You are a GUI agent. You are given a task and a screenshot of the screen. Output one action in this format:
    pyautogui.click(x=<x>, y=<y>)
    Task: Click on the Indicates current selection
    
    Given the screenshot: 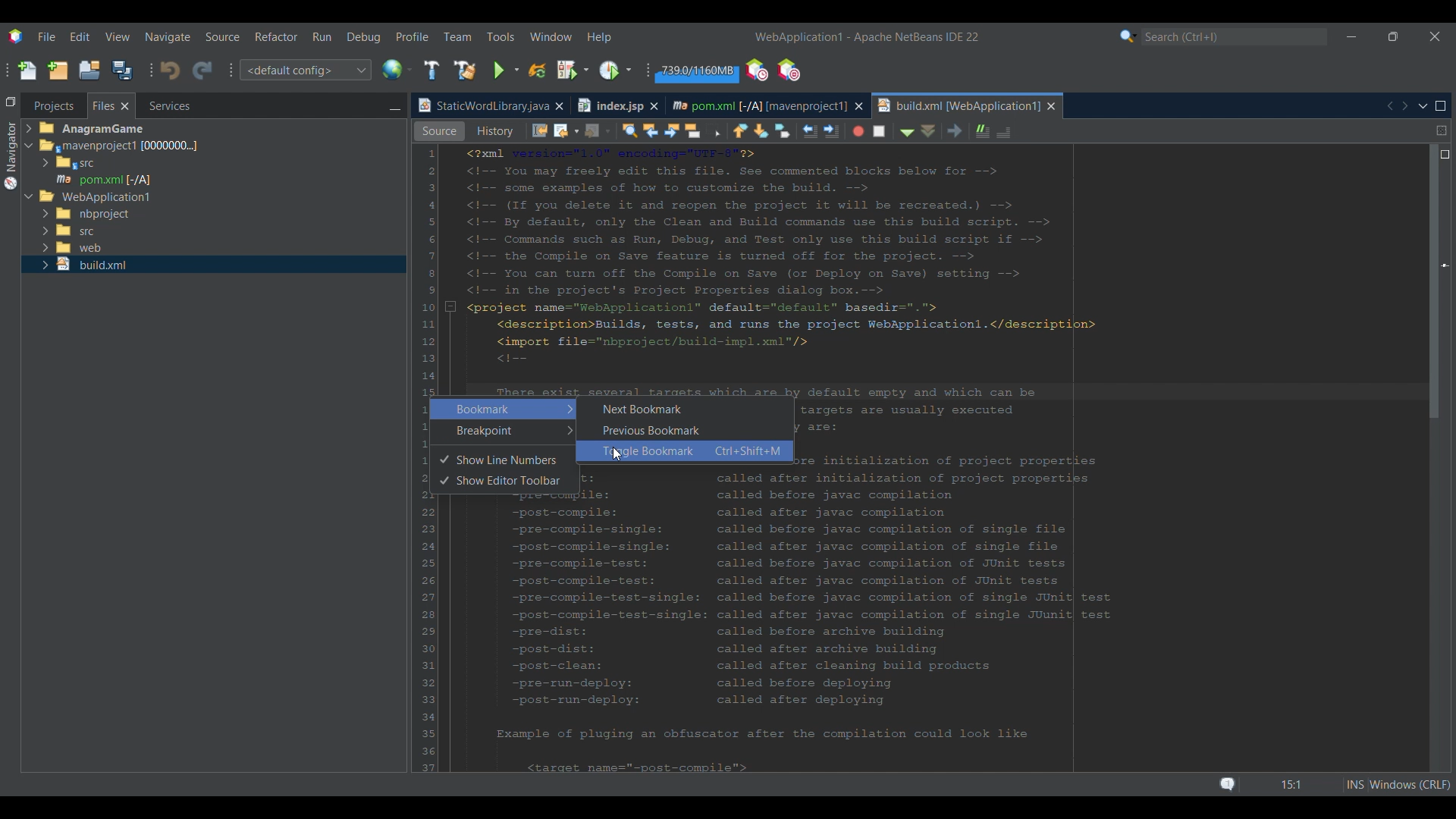 What is the action you would take?
    pyautogui.click(x=446, y=299)
    